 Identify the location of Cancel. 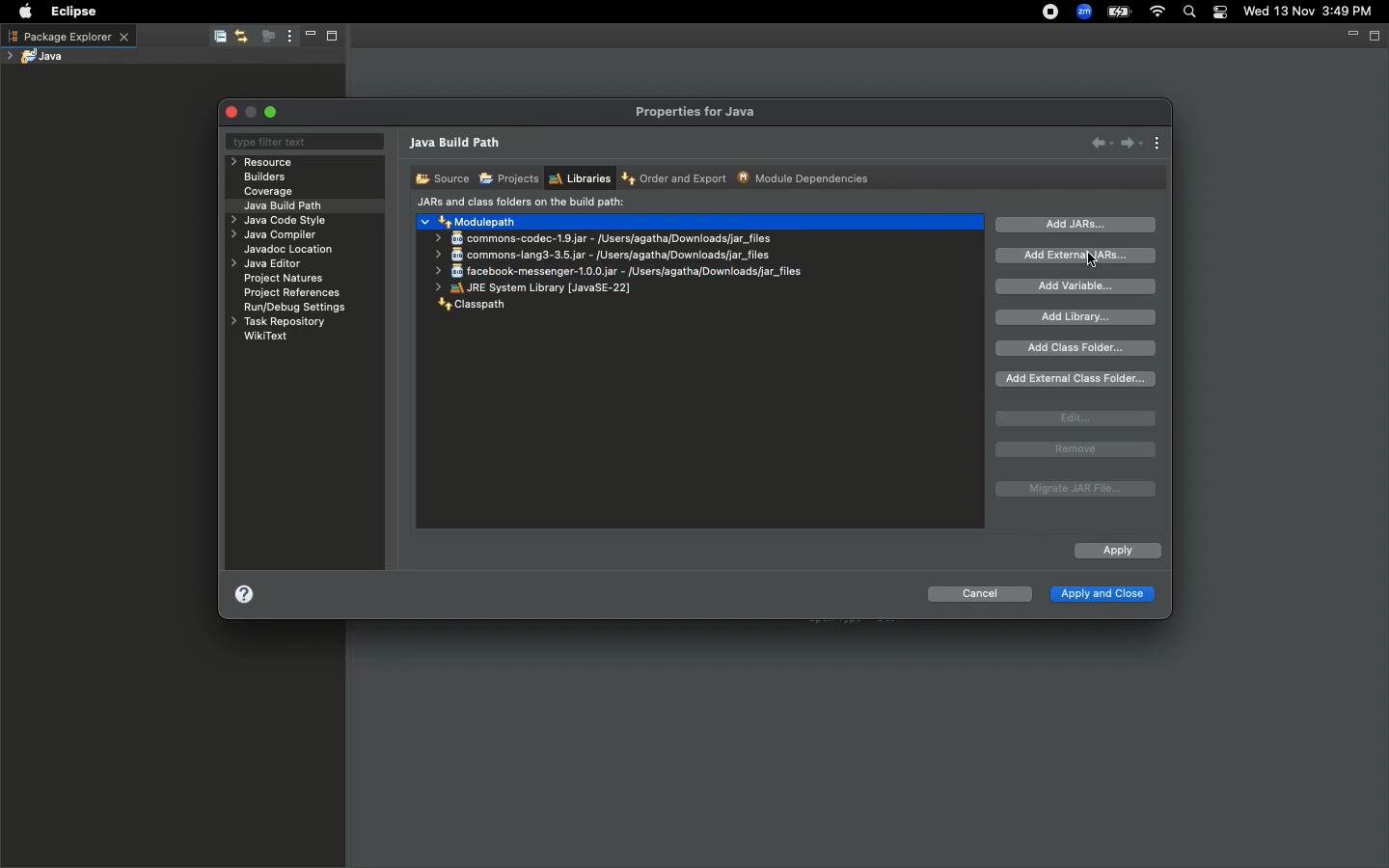
(979, 597).